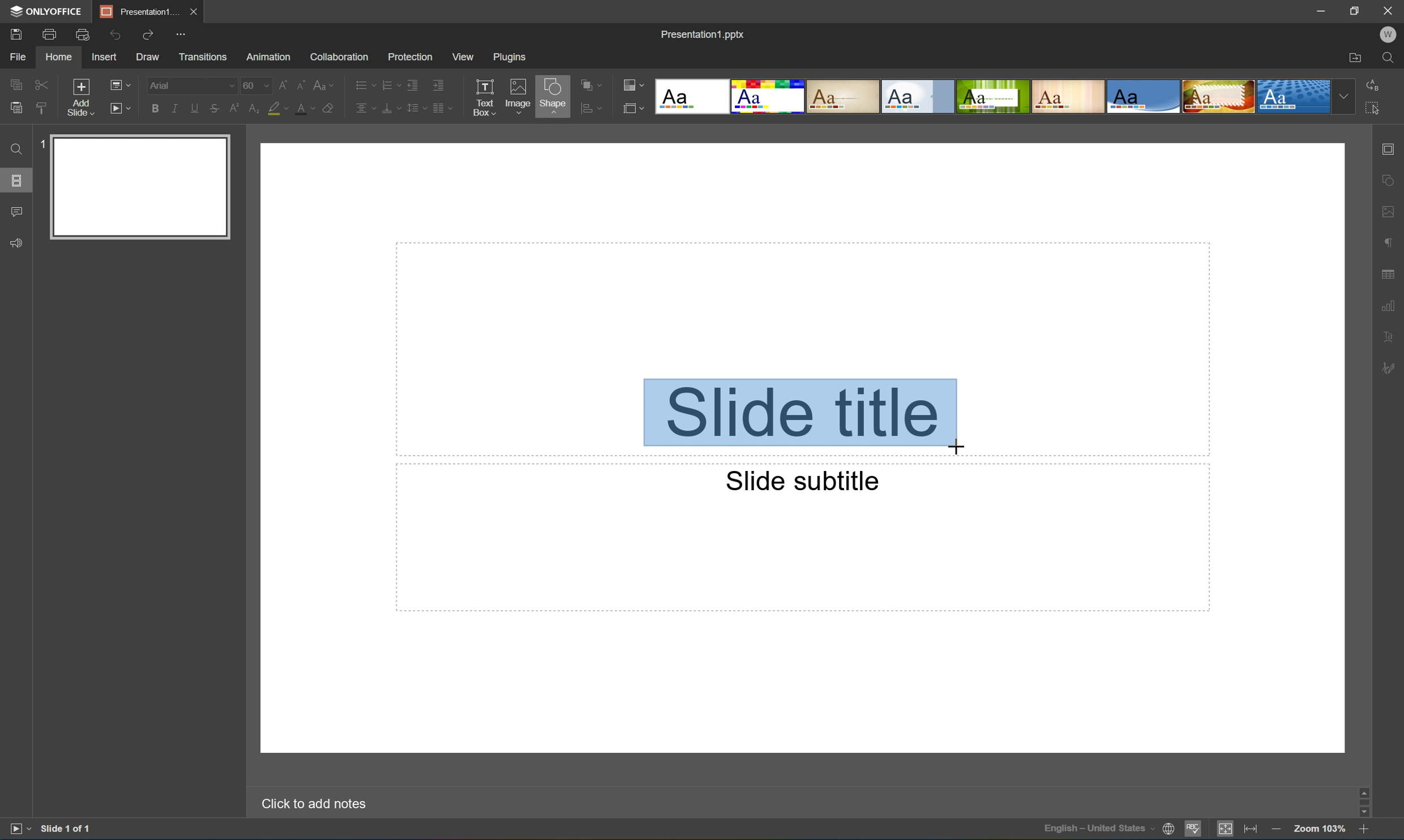 The image size is (1404, 840). Describe the element at coordinates (41, 106) in the screenshot. I see `Copy style` at that location.